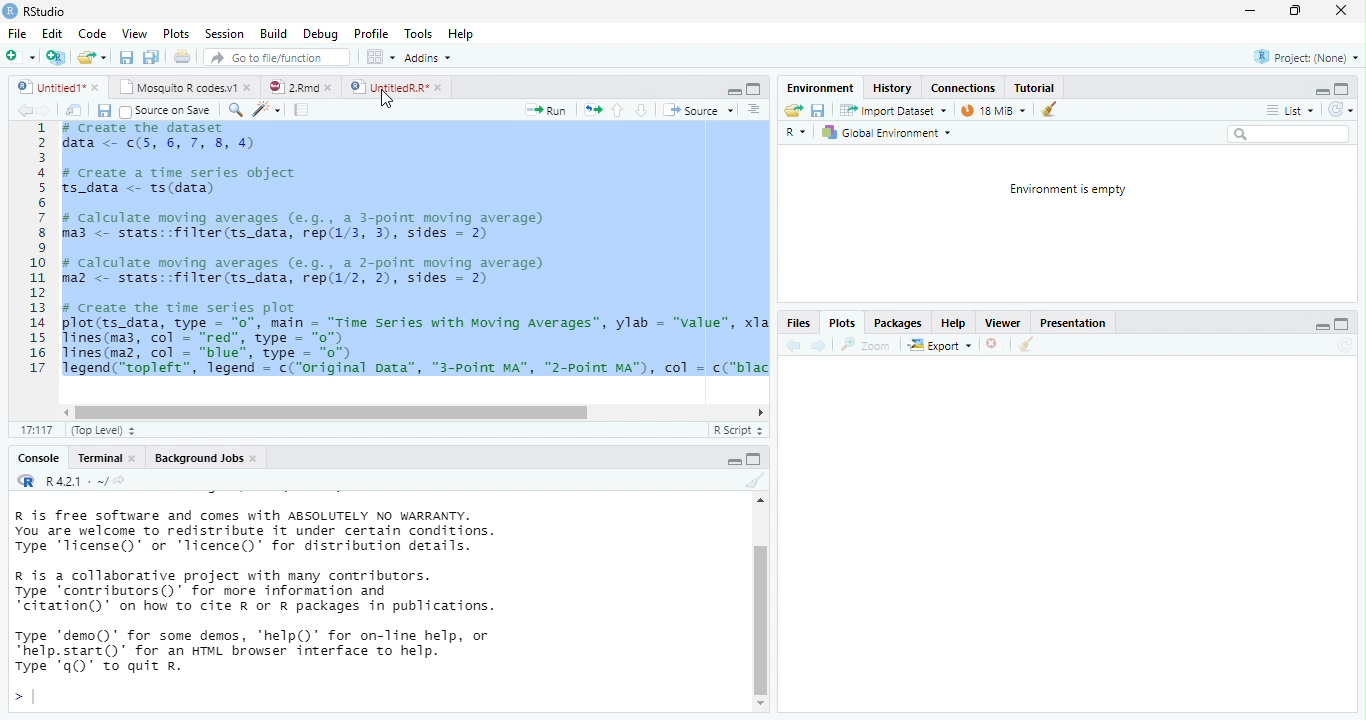 This screenshot has width=1366, height=720. Describe the element at coordinates (23, 698) in the screenshot. I see `>` at that location.